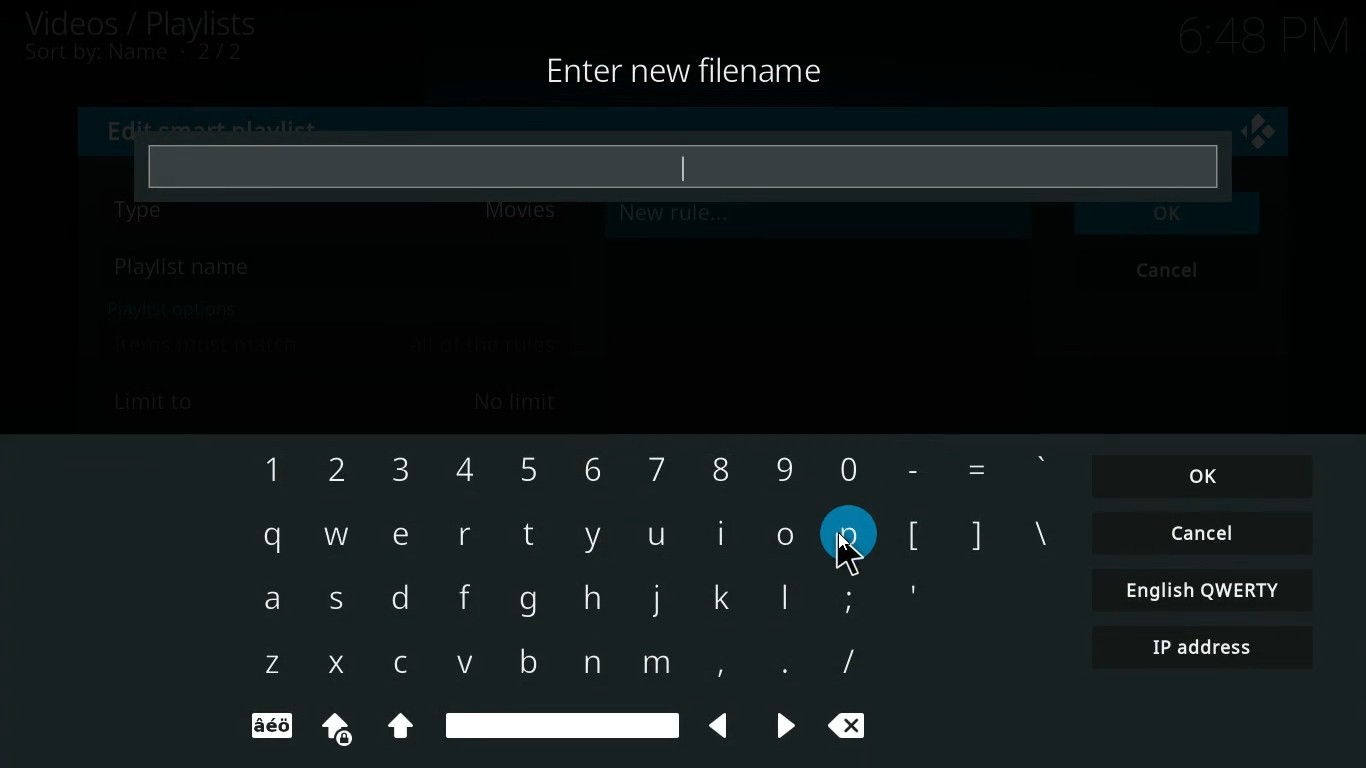  What do you see at coordinates (778, 727) in the screenshot?
I see `forward` at bounding box center [778, 727].